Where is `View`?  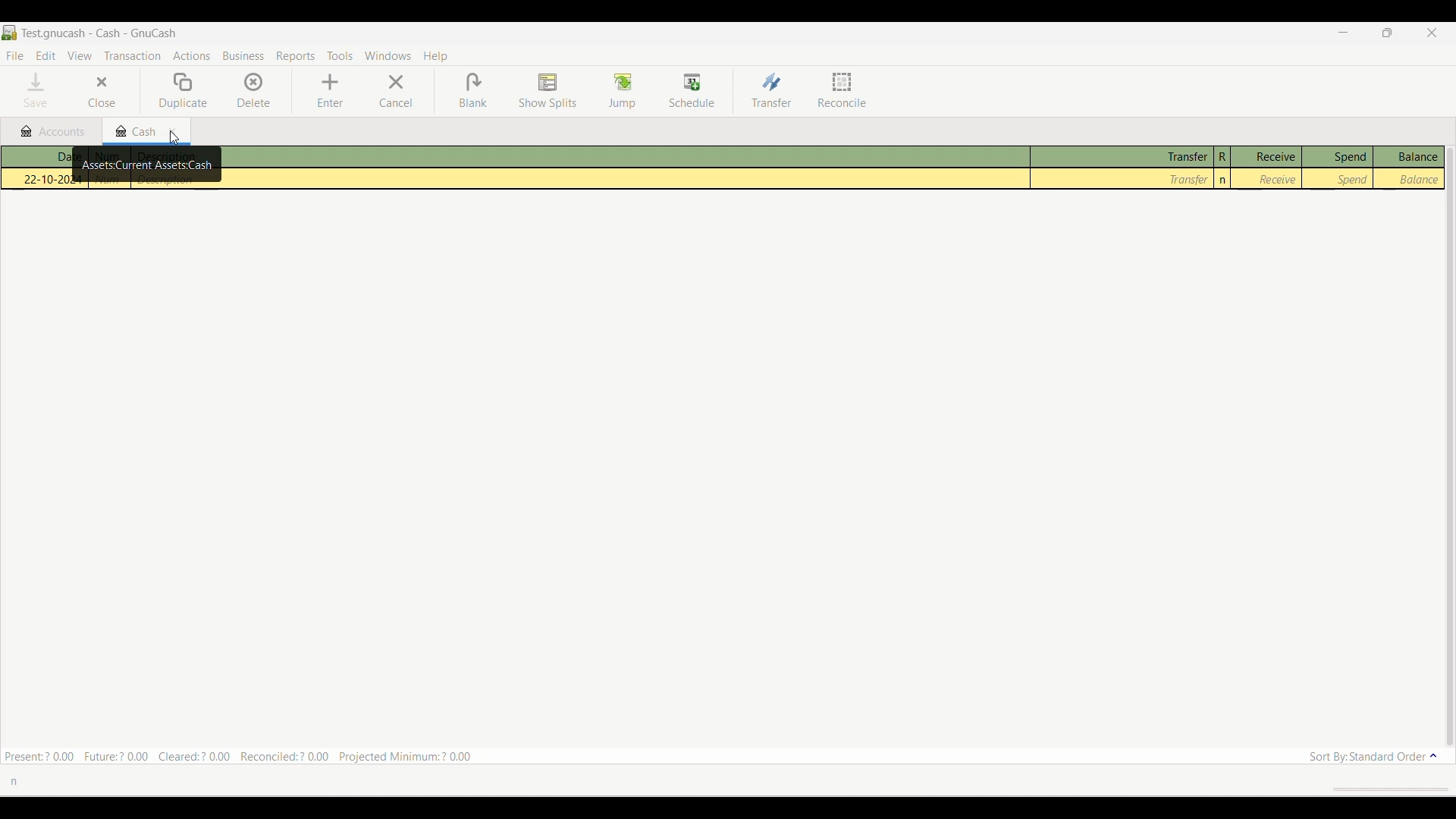
View is located at coordinates (80, 55).